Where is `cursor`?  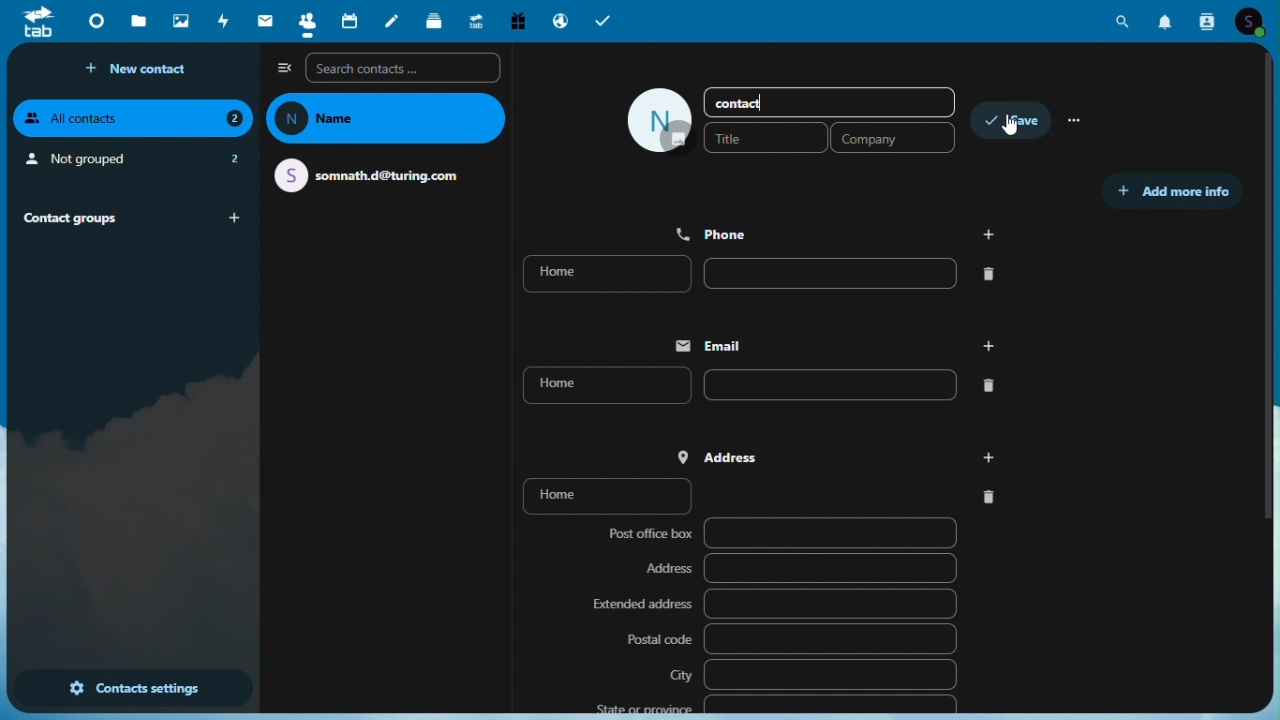 cursor is located at coordinates (1012, 129).